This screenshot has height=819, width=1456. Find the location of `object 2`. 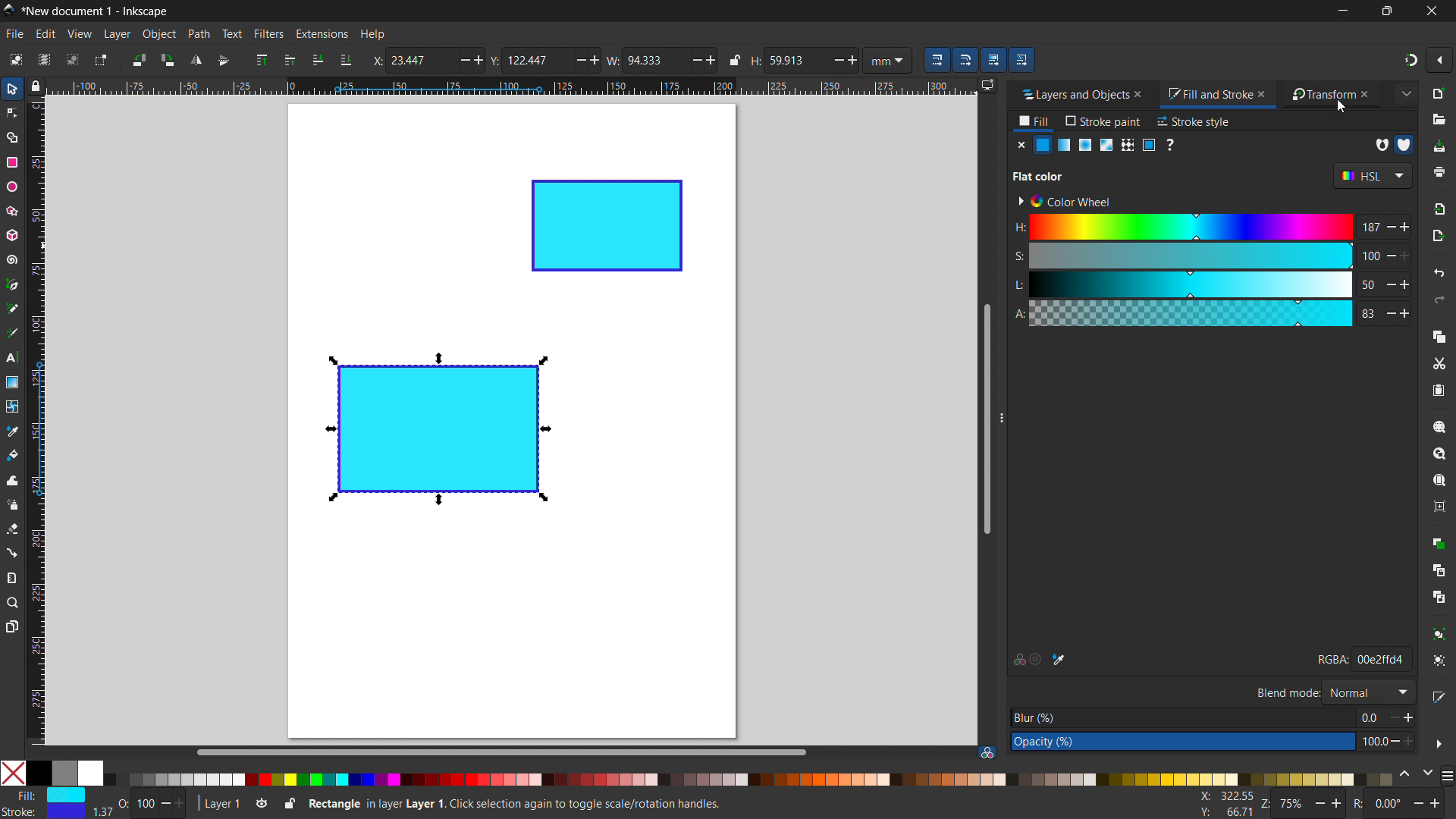

object 2 is located at coordinates (607, 226).